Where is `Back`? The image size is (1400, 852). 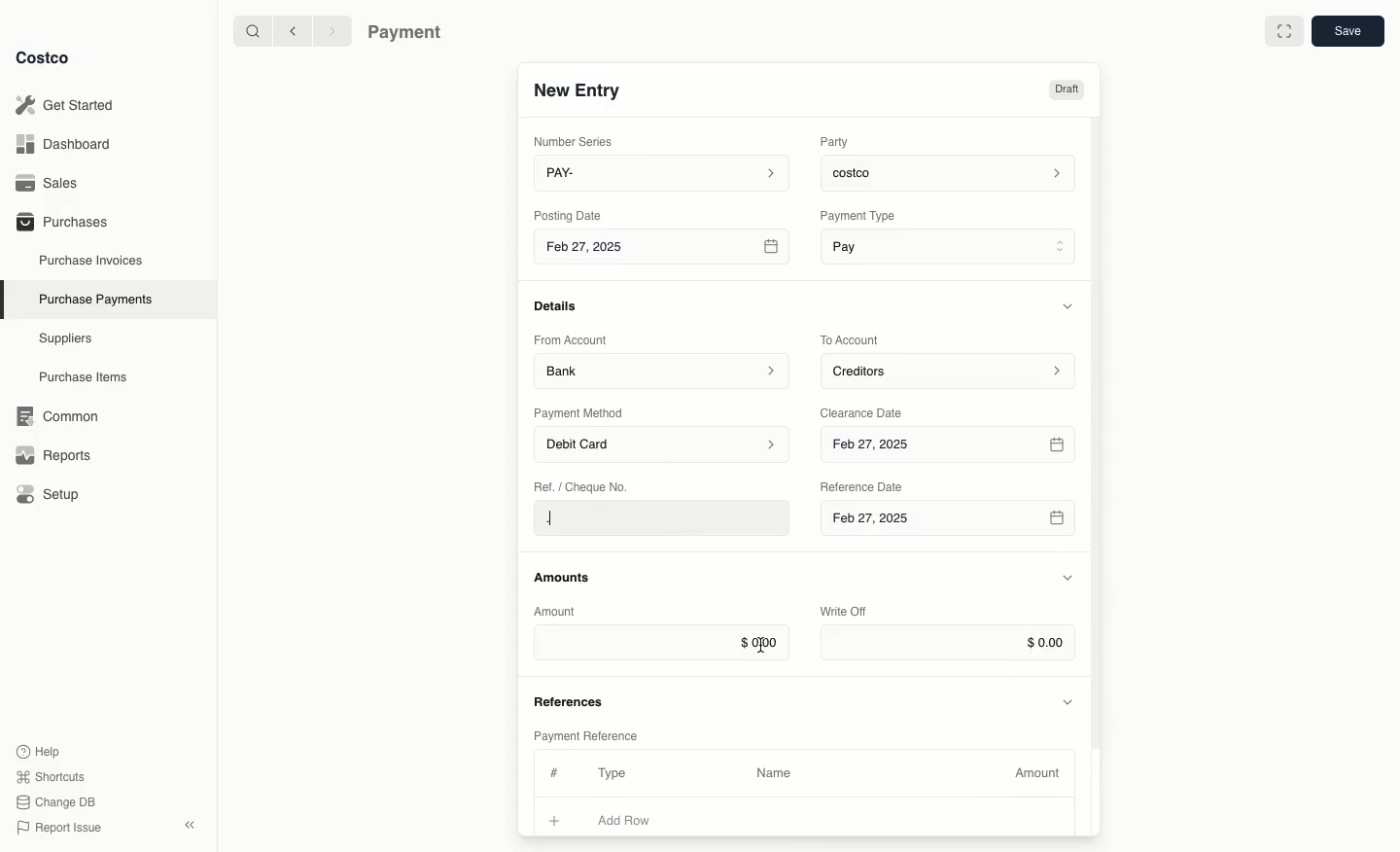 Back is located at coordinates (293, 30).